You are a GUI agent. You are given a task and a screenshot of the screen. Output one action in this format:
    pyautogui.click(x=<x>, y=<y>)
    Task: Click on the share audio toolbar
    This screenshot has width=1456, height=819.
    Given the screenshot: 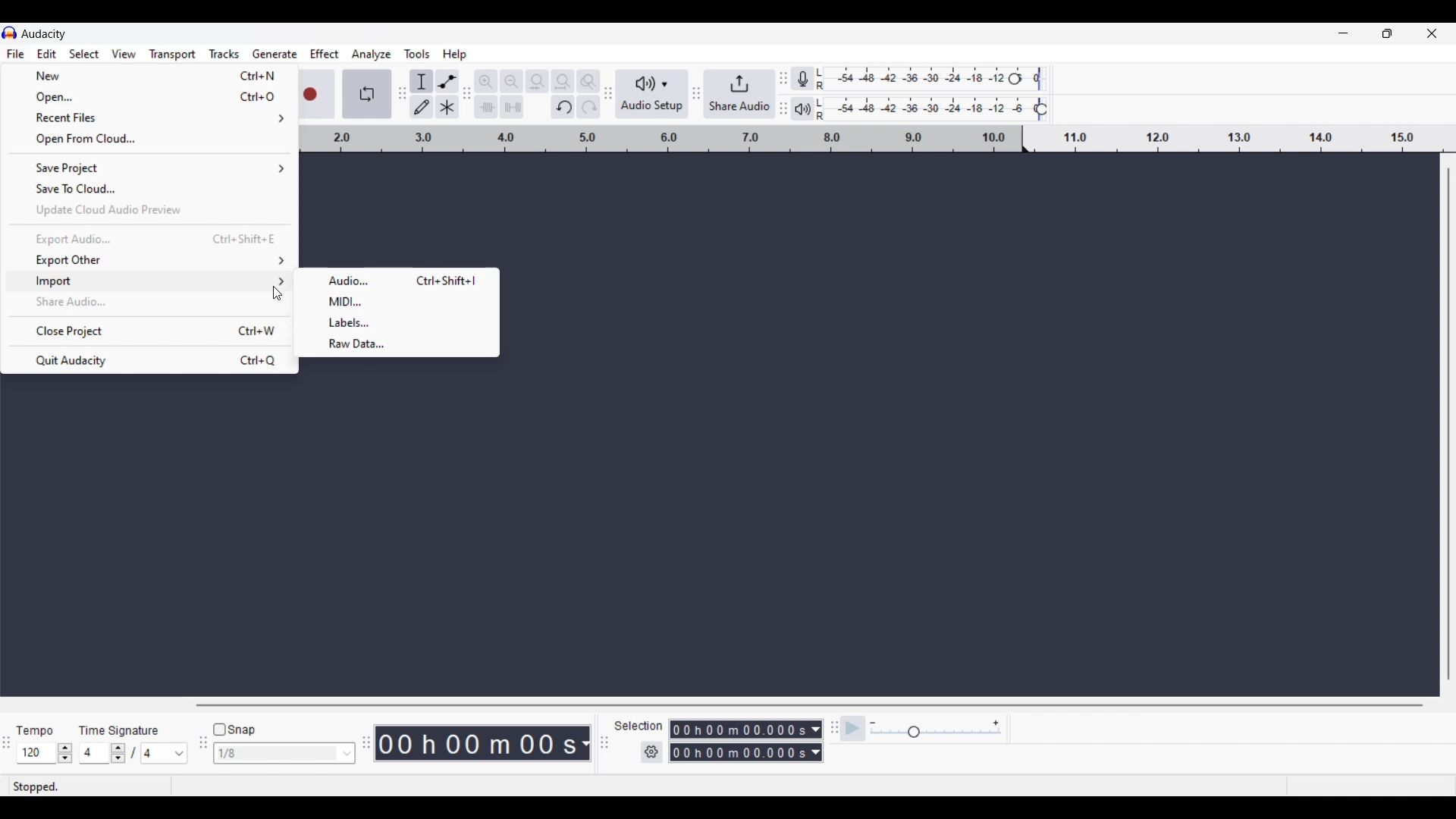 What is the action you would take?
    pyautogui.click(x=694, y=95)
    